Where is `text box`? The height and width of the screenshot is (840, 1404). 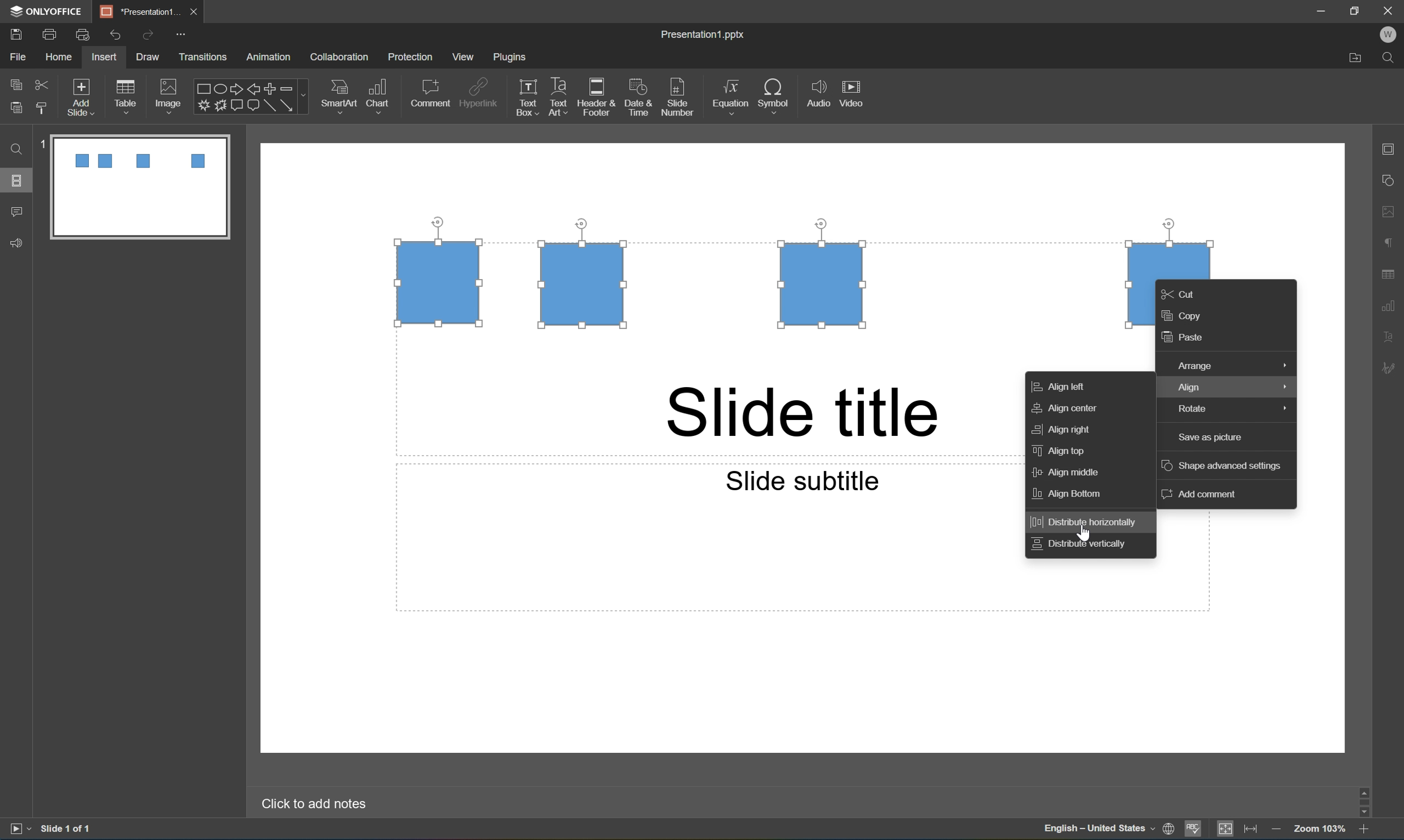 text box is located at coordinates (524, 98).